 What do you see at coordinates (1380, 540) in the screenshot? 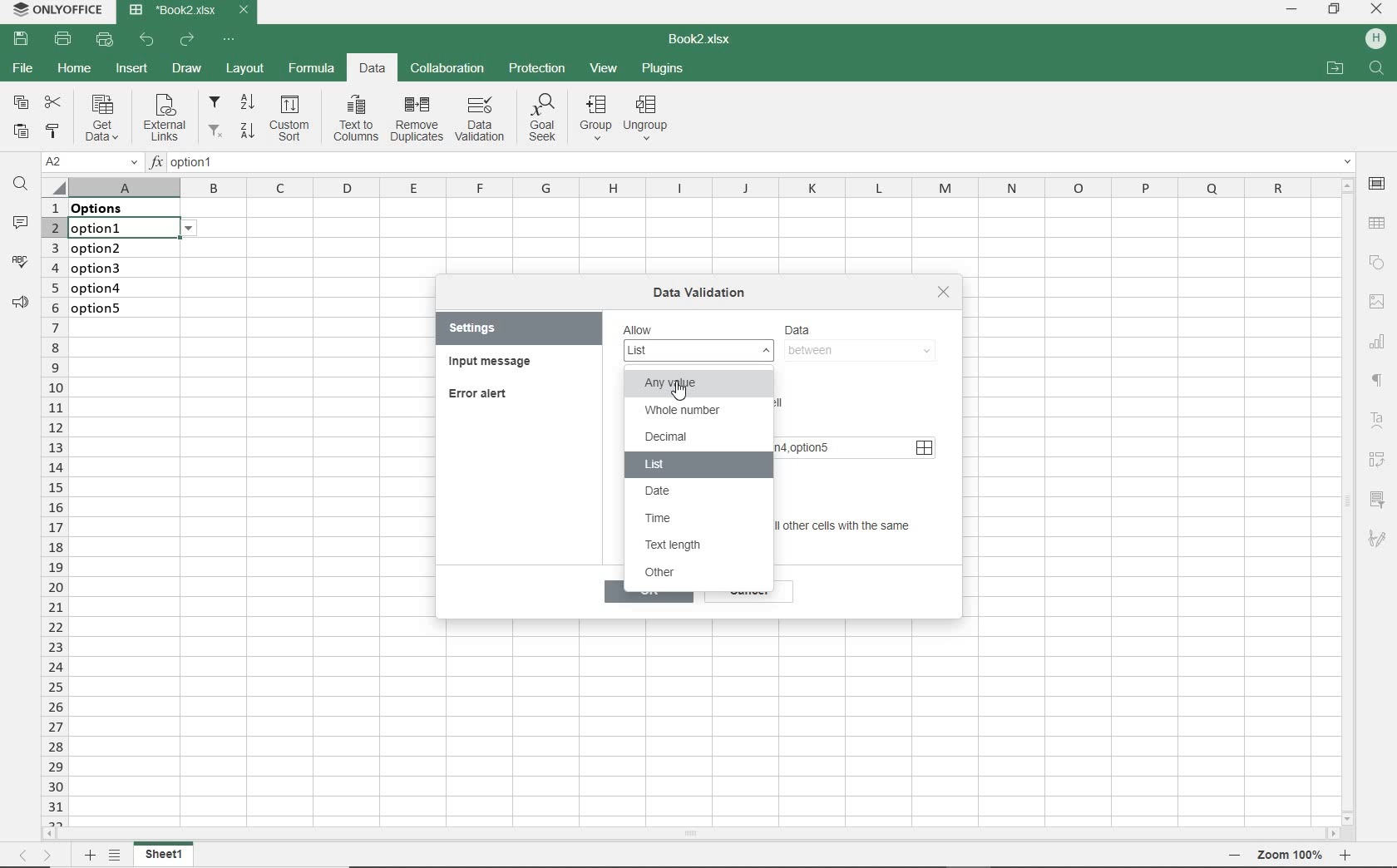
I see `sketch` at bounding box center [1380, 540].